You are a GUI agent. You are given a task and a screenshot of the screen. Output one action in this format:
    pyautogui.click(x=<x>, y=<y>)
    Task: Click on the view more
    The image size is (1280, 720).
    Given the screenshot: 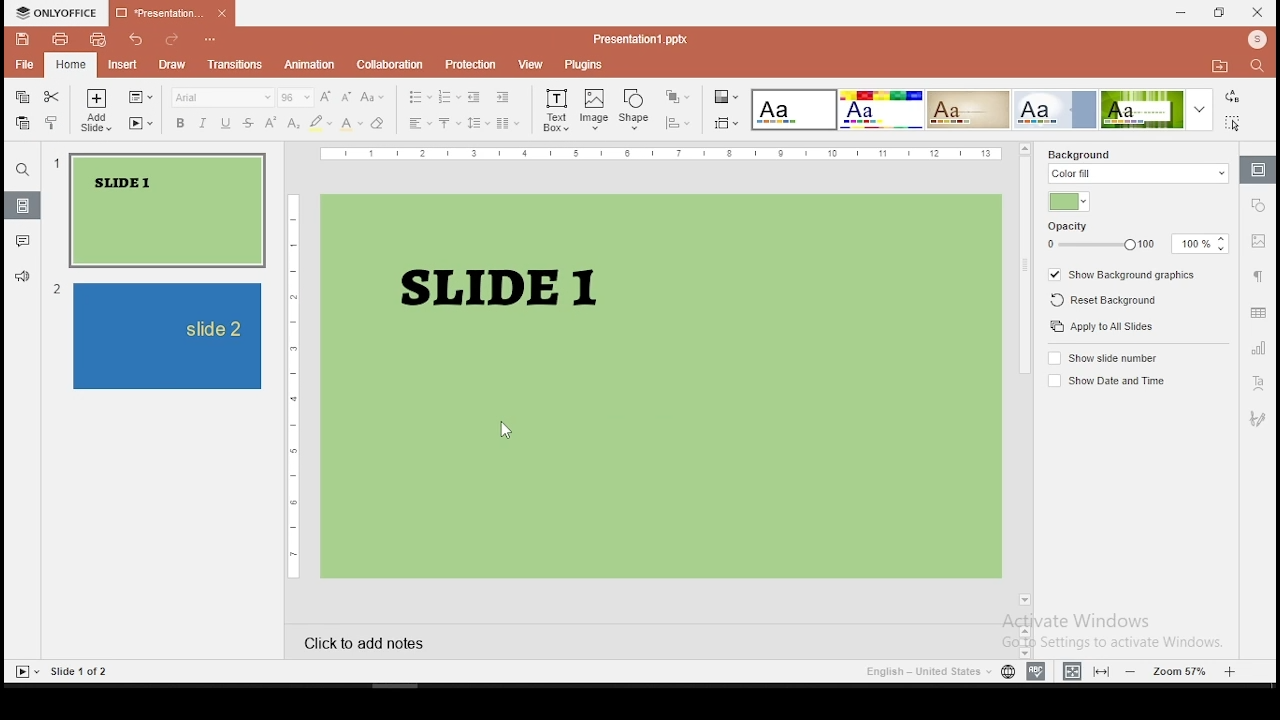 What is the action you would take?
    pyautogui.click(x=209, y=38)
    